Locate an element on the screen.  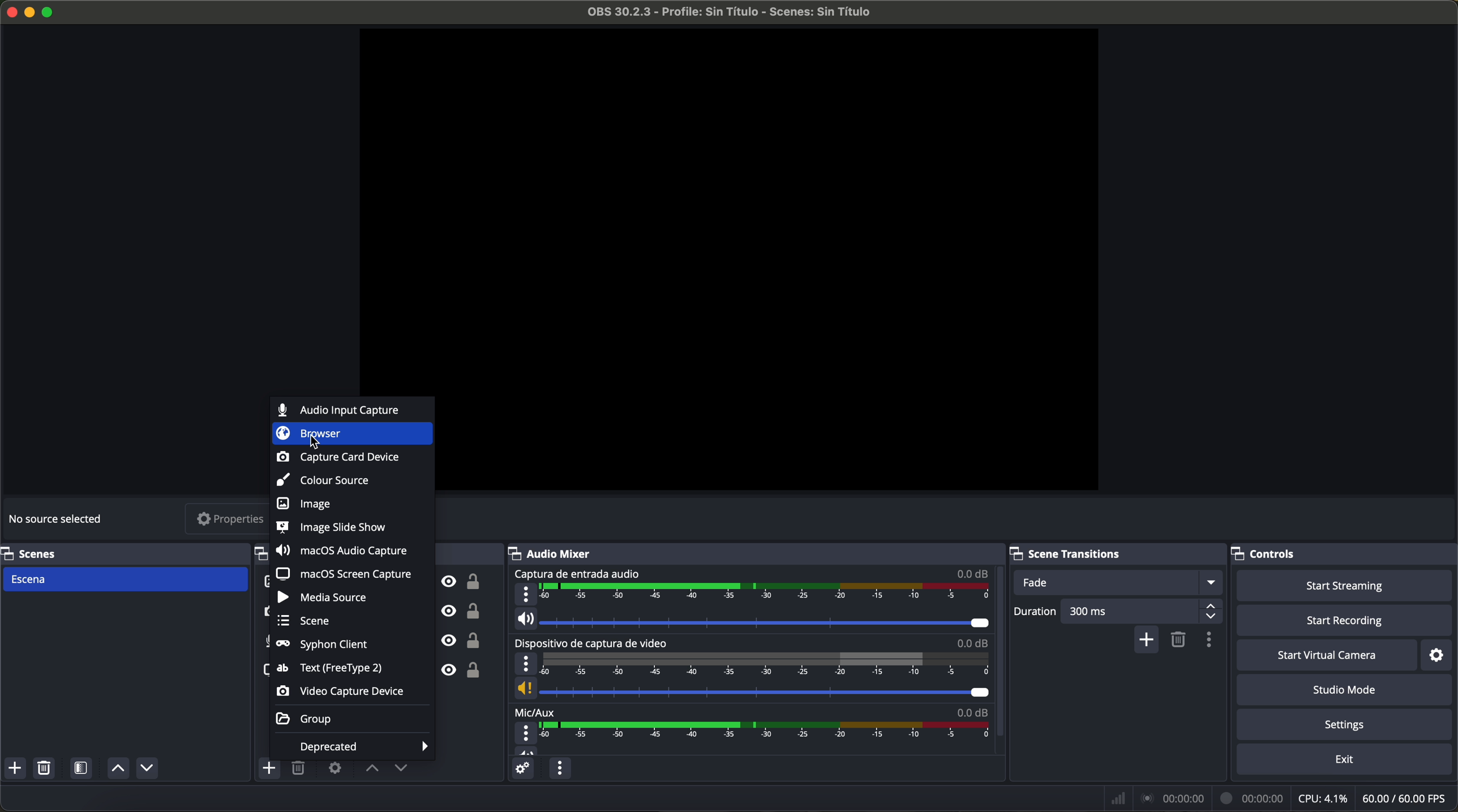
300 ms is located at coordinates (1146, 611).